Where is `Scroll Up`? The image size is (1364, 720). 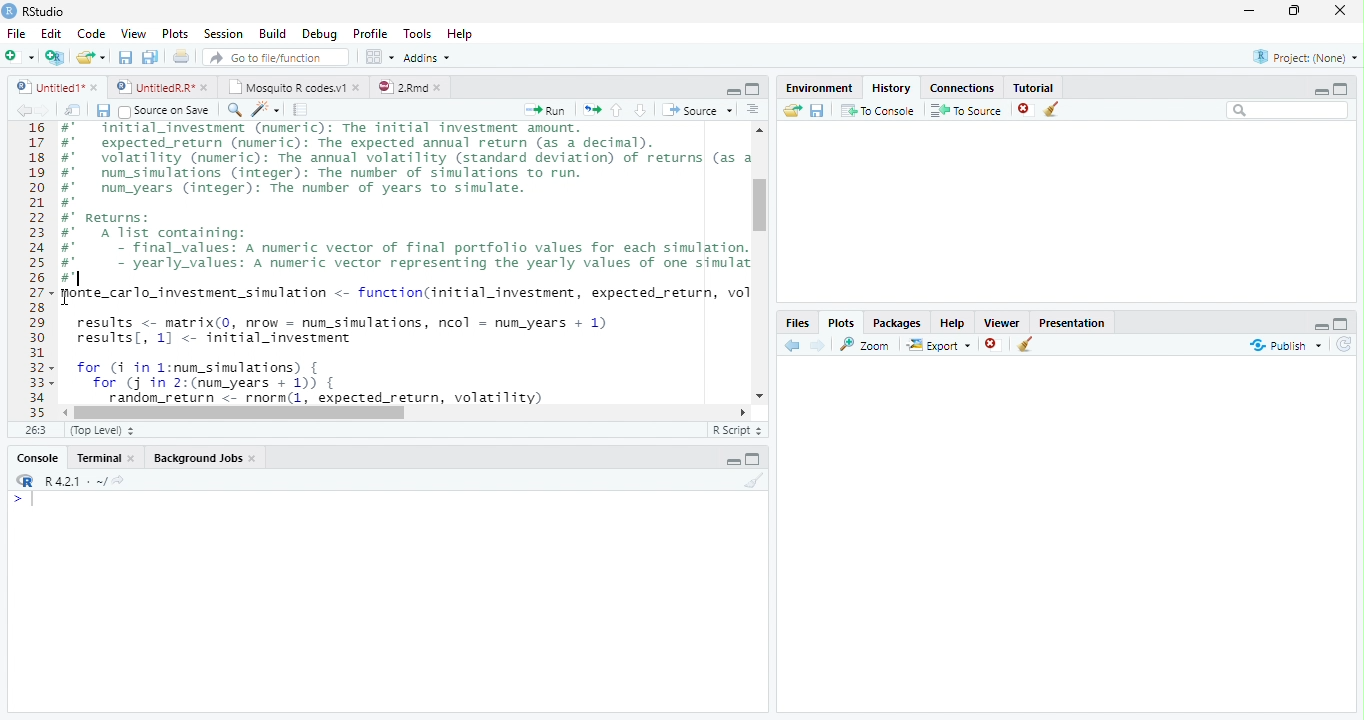 Scroll Up is located at coordinates (760, 132).